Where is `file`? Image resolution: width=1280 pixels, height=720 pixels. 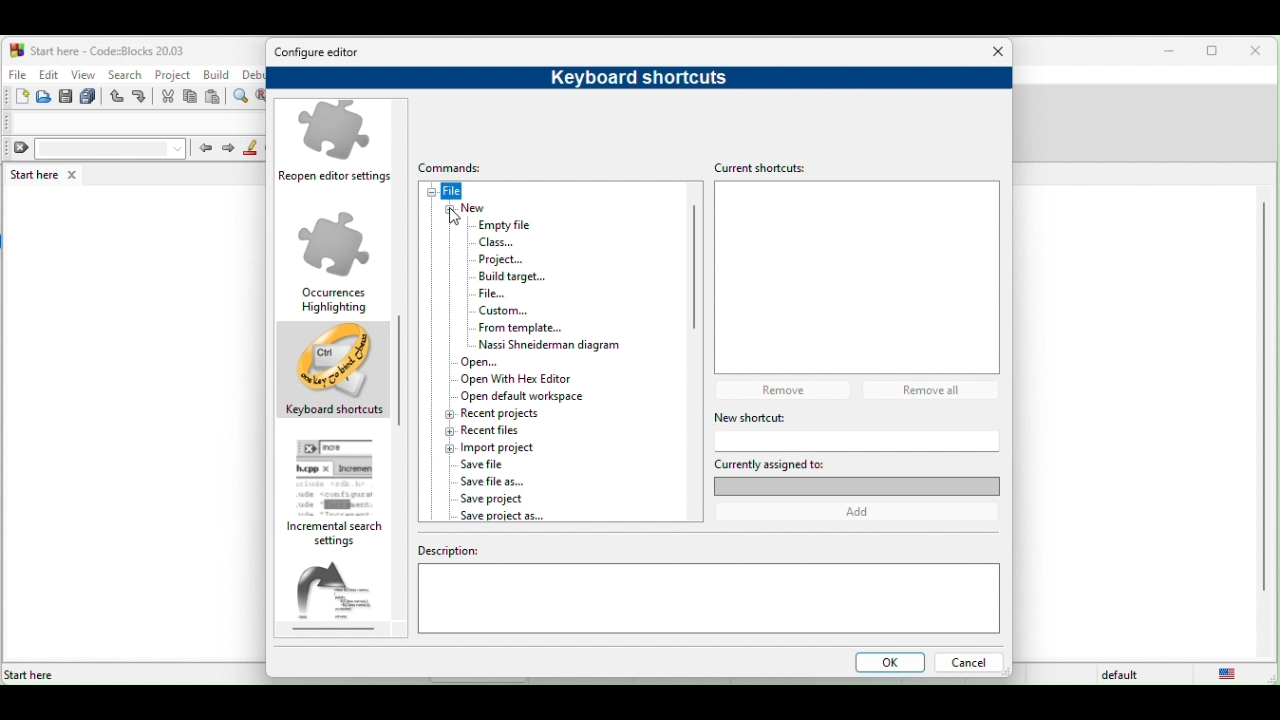
file is located at coordinates (456, 191).